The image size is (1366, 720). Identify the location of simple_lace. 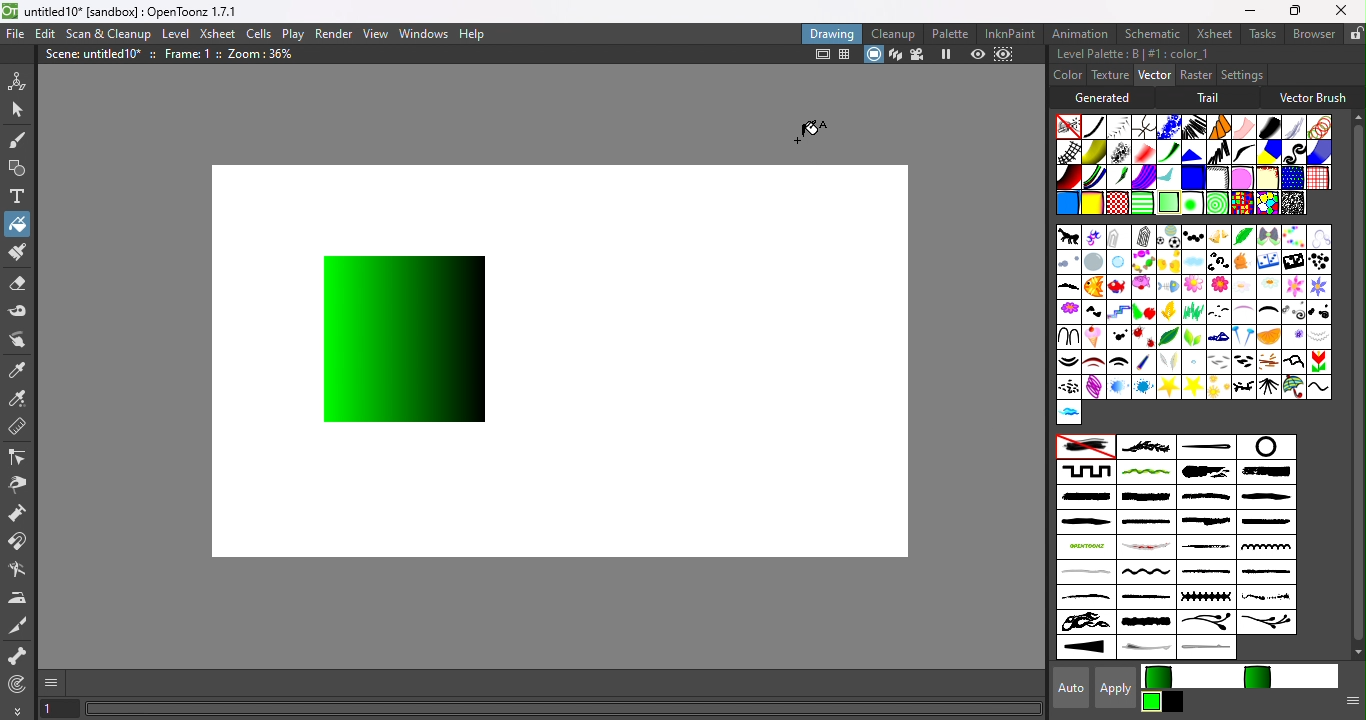
(1264, 547).